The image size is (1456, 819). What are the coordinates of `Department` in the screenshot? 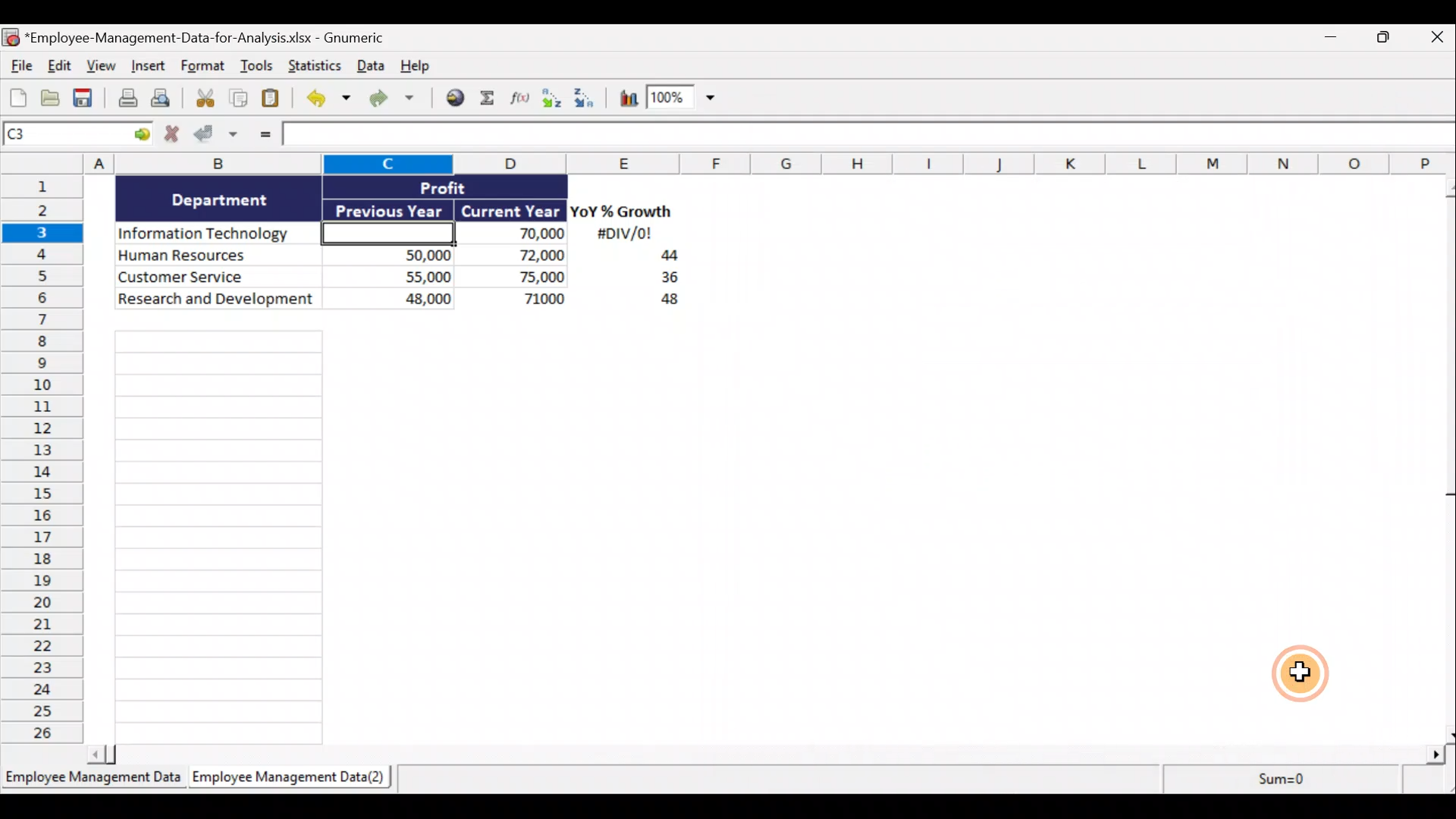 It's located at (220, 199).